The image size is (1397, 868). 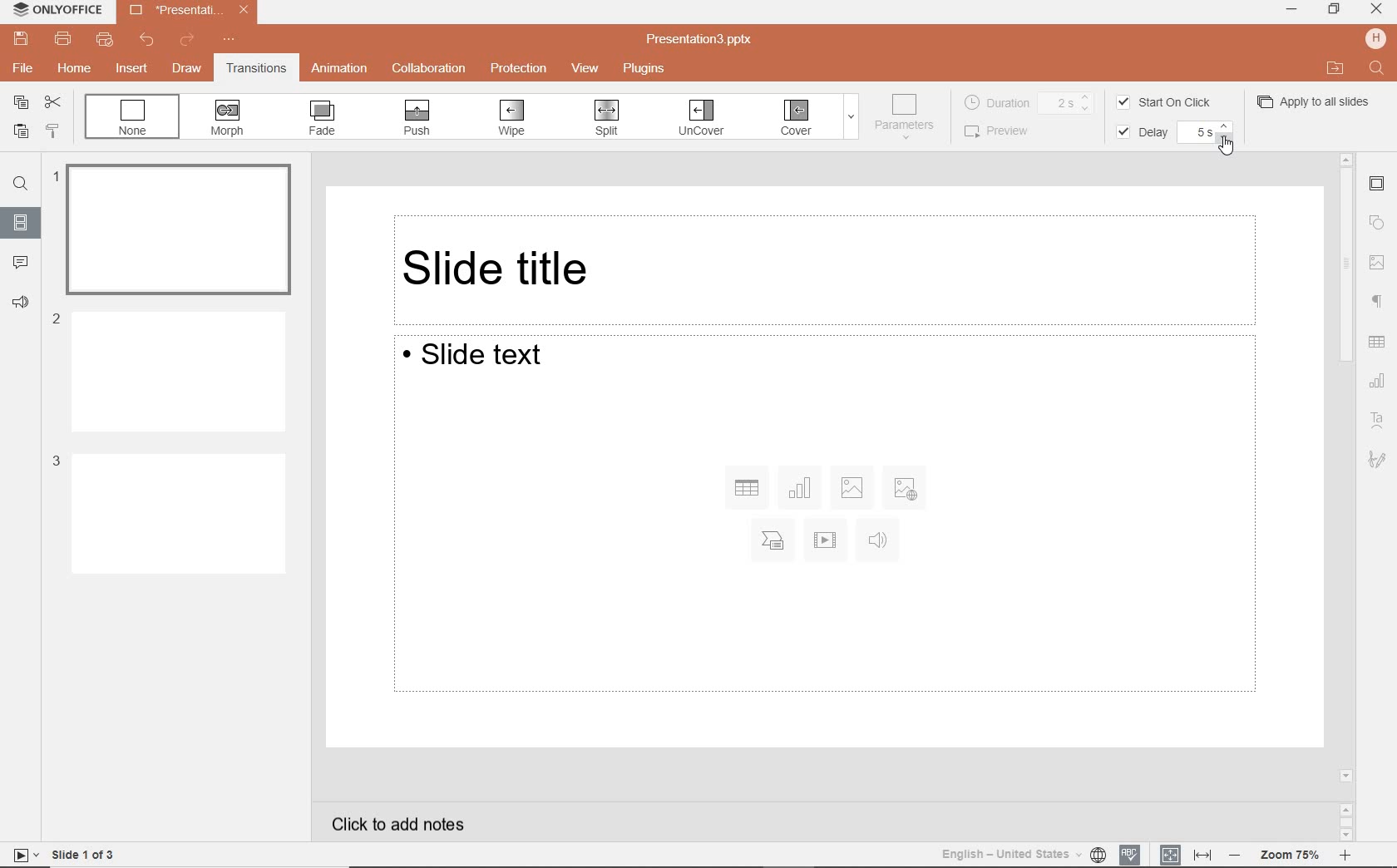 What do you see at coordinates (1005, 131) in the screenshot?
I see `PREVIEW` at bounding box center [1005, 131].